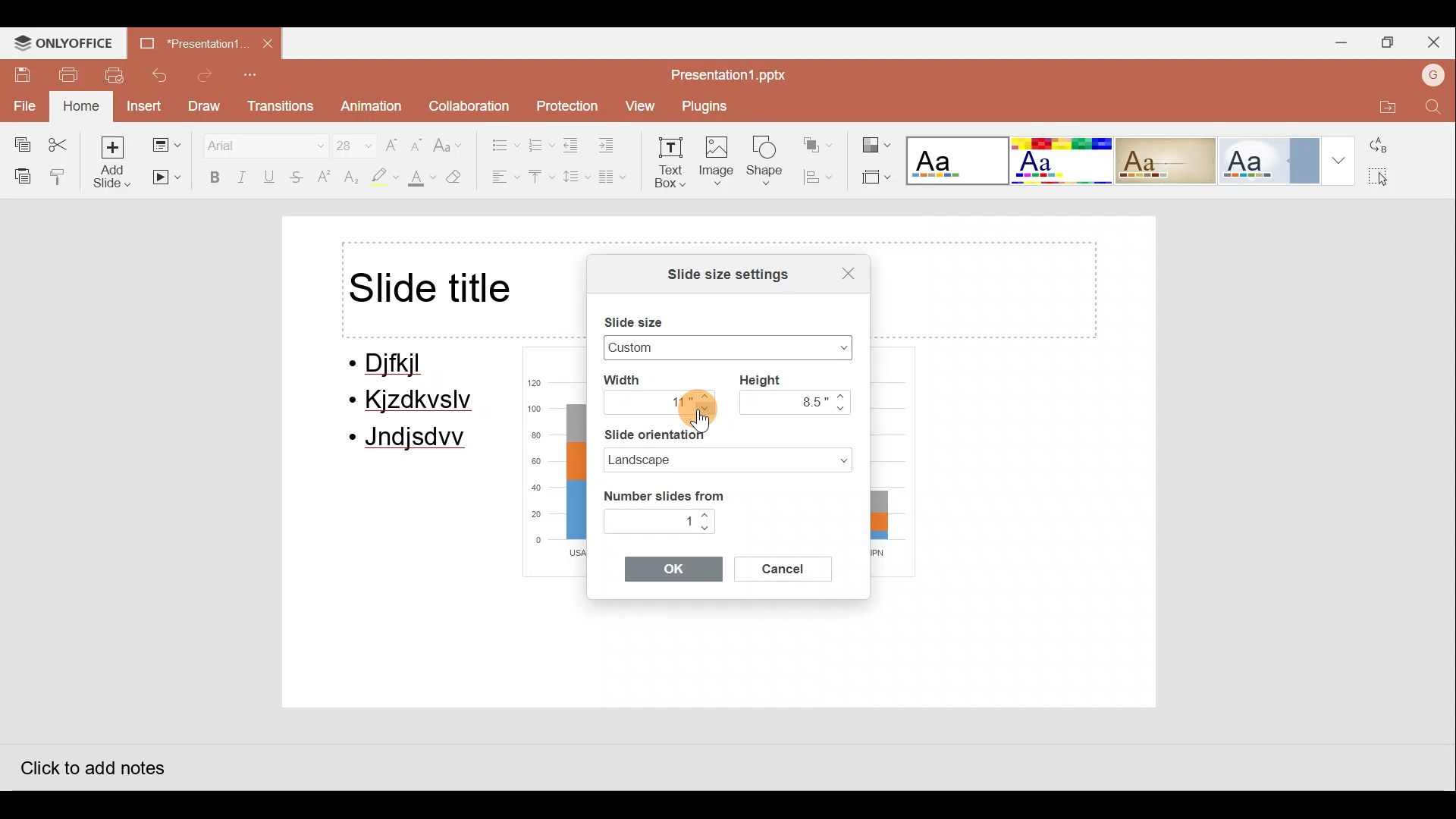 The image size is (1456, 819). What do you see at coordinates (635, 378) in the screenshot?
I see `Width` at bounding box center [635, 378].